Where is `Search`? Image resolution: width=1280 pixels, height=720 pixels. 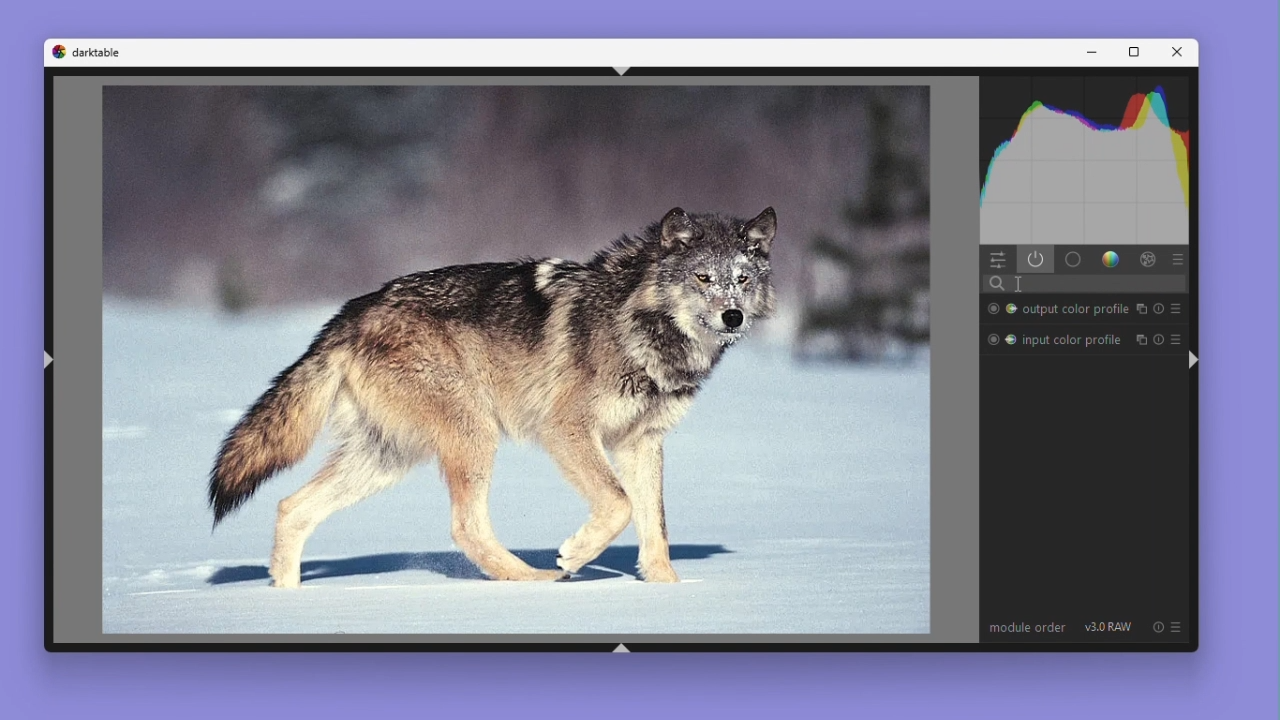
Search is located at coordinates (991, 284).